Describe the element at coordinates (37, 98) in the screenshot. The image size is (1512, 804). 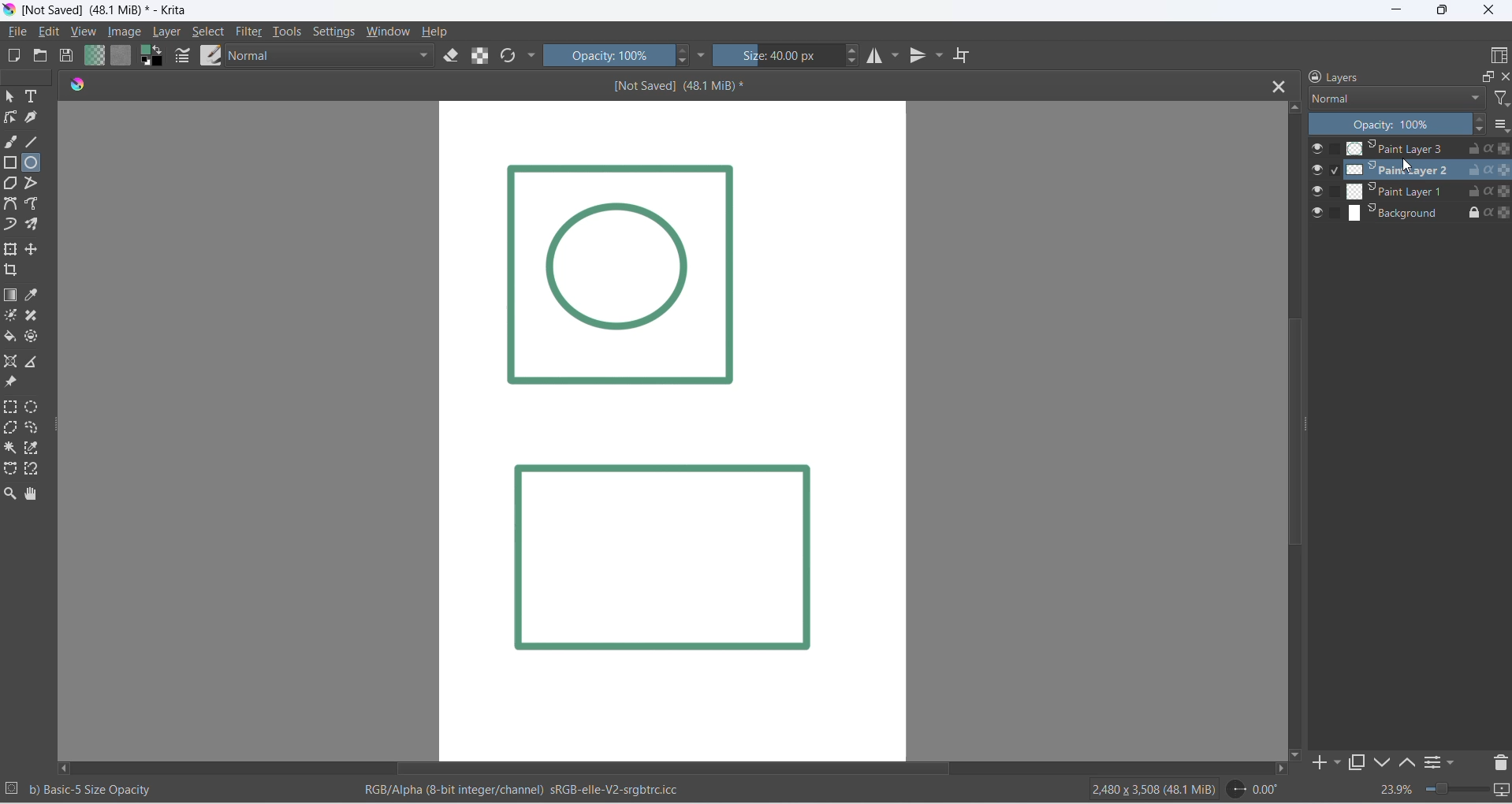
I see `text` at that location.